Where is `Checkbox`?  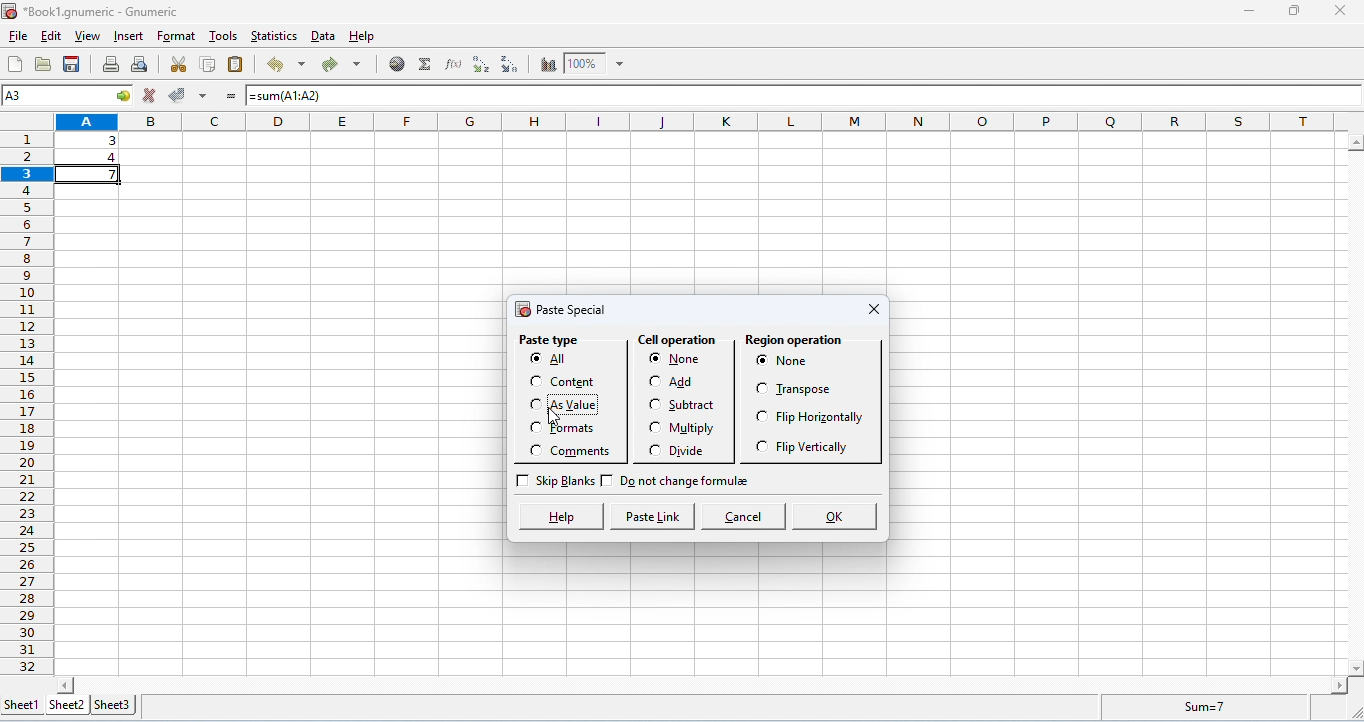
Checkbox is located at coordinates (760, 387).